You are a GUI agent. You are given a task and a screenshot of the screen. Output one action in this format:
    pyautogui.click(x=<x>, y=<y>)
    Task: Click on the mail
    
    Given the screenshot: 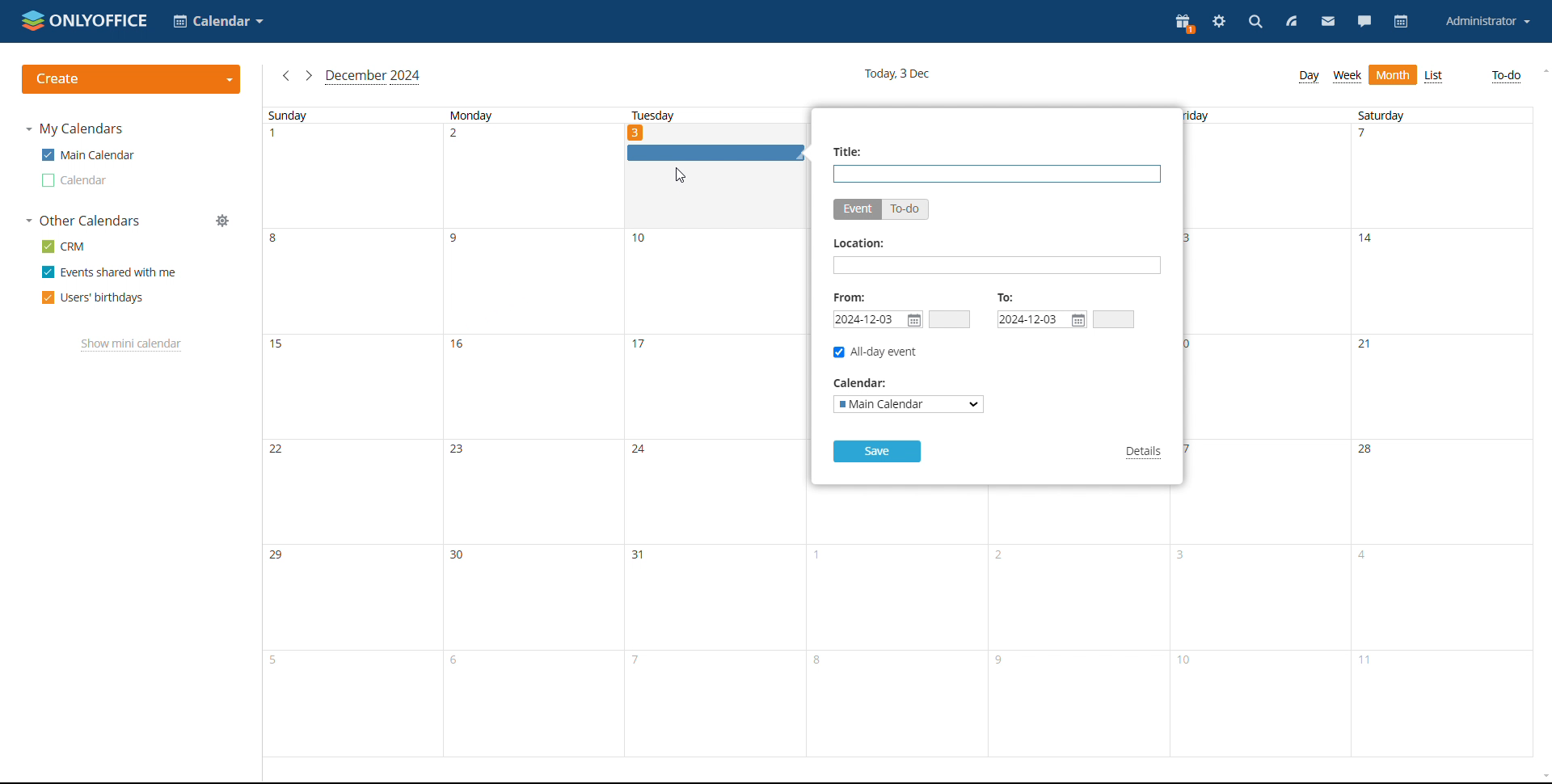 What is the action you would take?
    pyautogui.click(x=1329, y=23)
    